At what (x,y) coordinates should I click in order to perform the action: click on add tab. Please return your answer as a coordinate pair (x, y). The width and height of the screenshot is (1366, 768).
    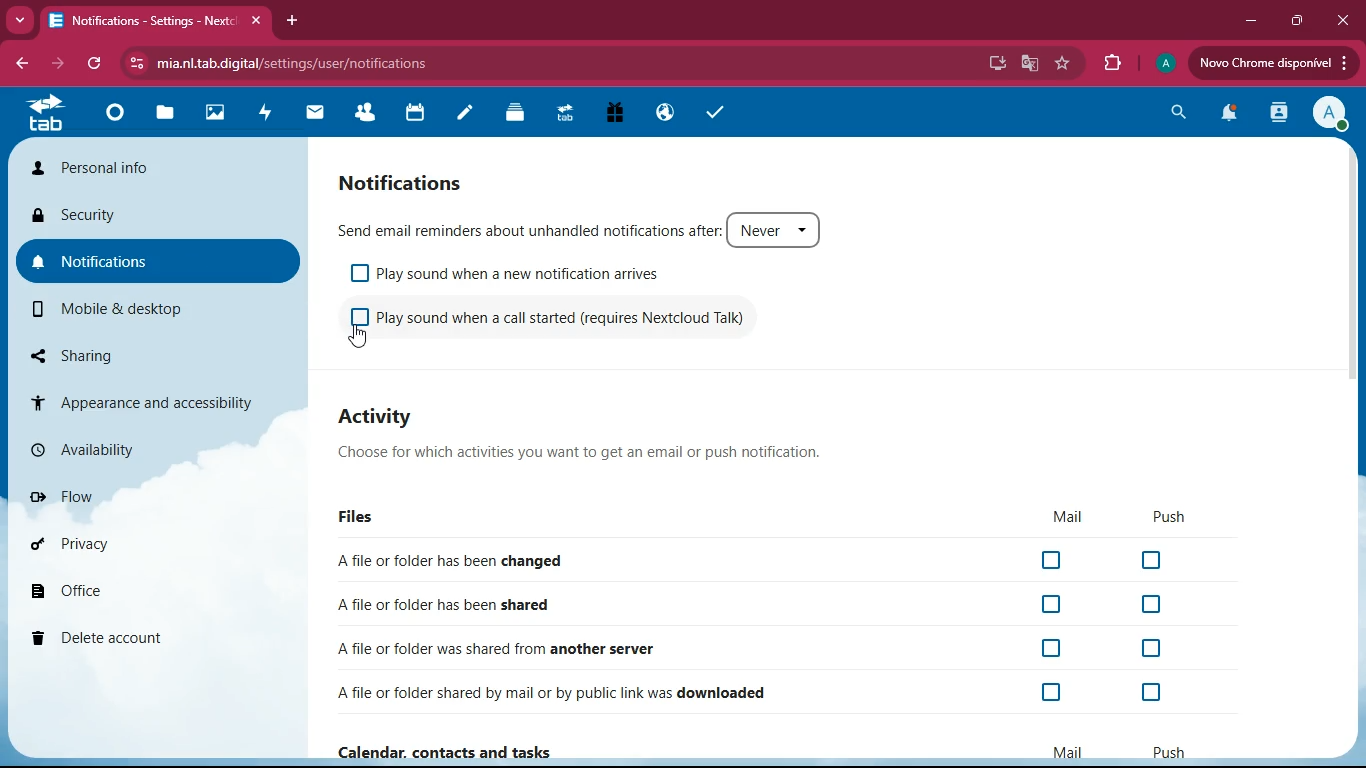
    Looking at the image, I should click on (292, 24).